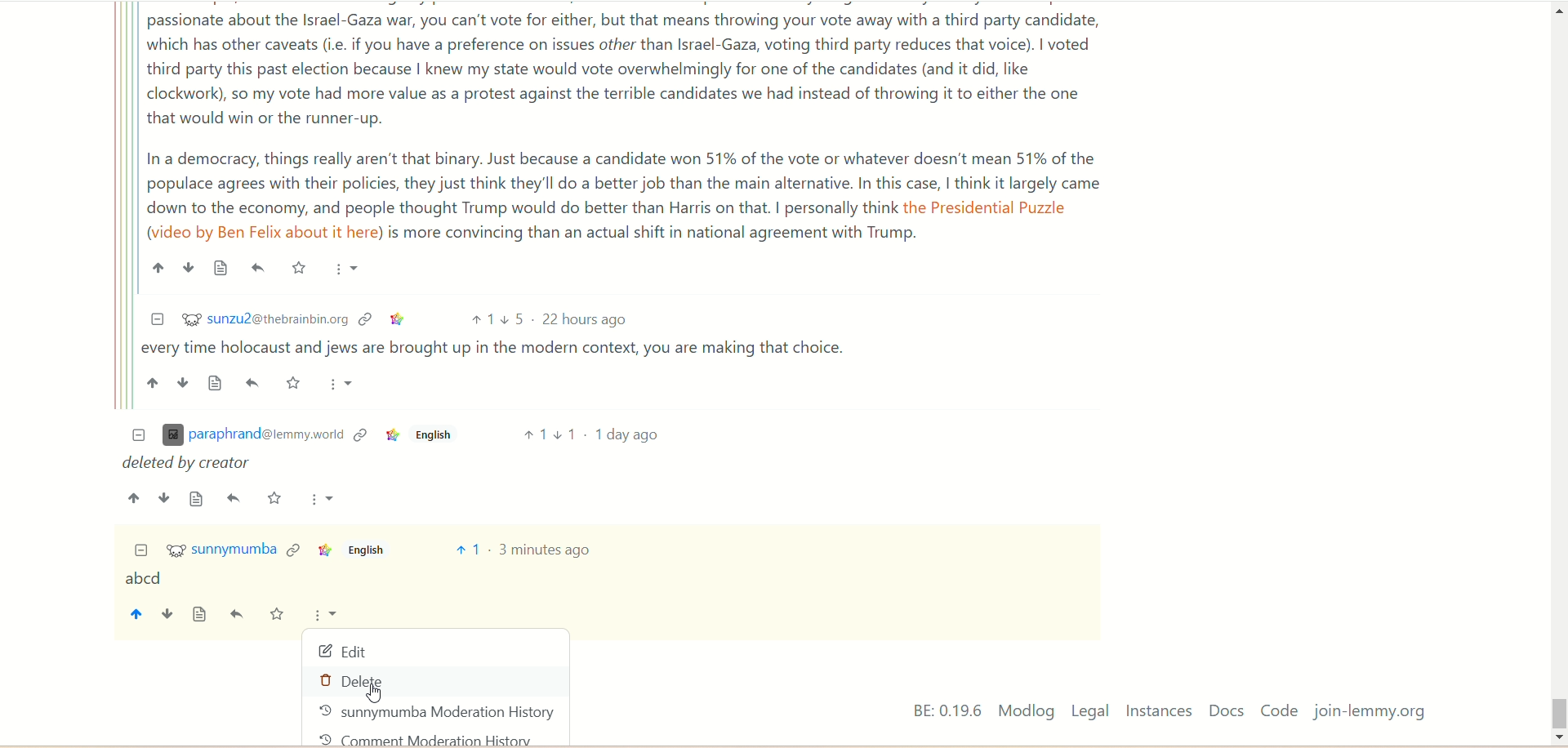 This screenshot has height=748, width=1568. What do you see at coordinates (158, 268) in the screenshot?
I see `Upvote` at bounding box center [158, 268].